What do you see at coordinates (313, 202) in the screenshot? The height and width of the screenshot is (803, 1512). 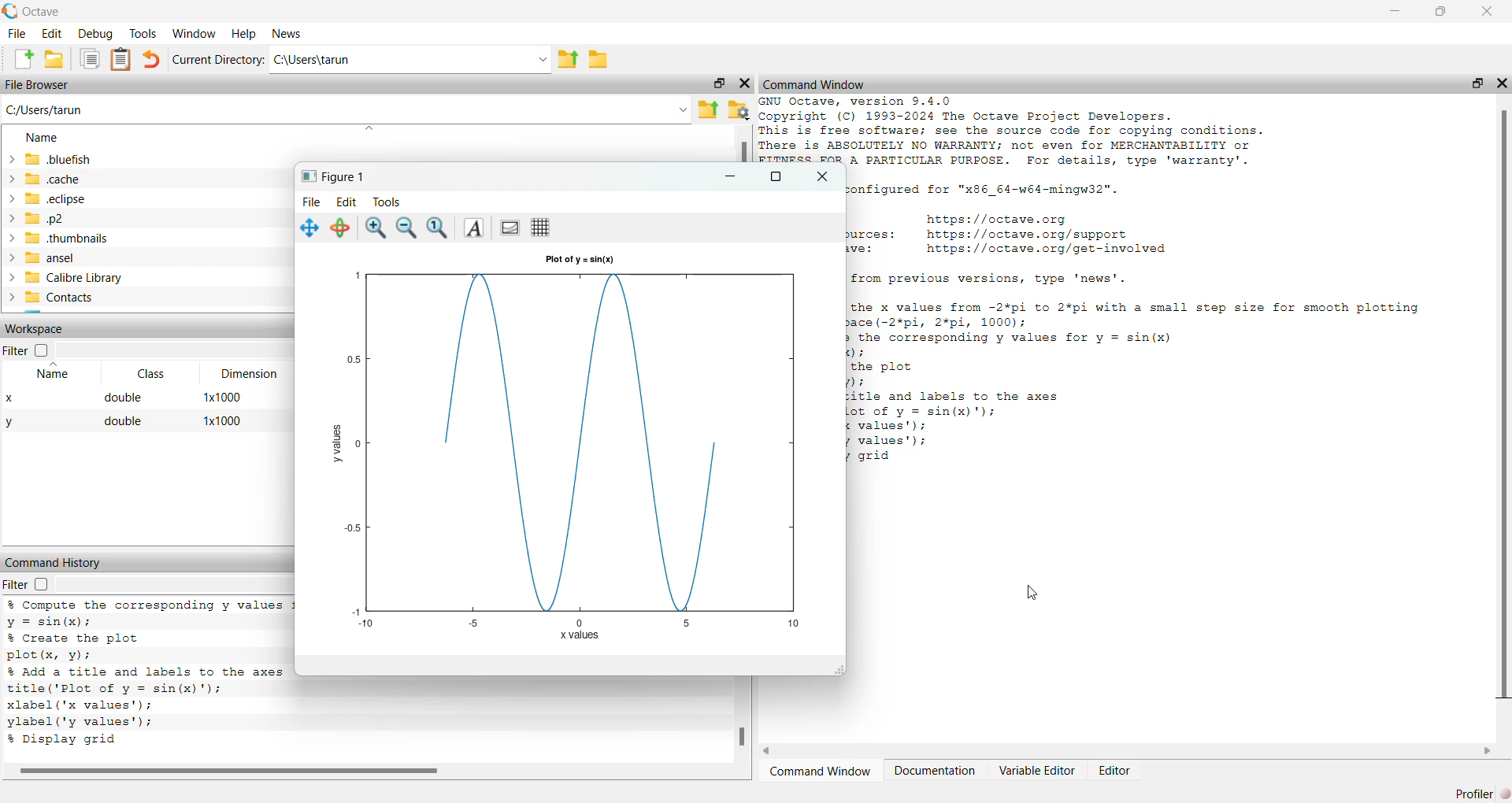 I see `File` at bounding box center [313, 202].